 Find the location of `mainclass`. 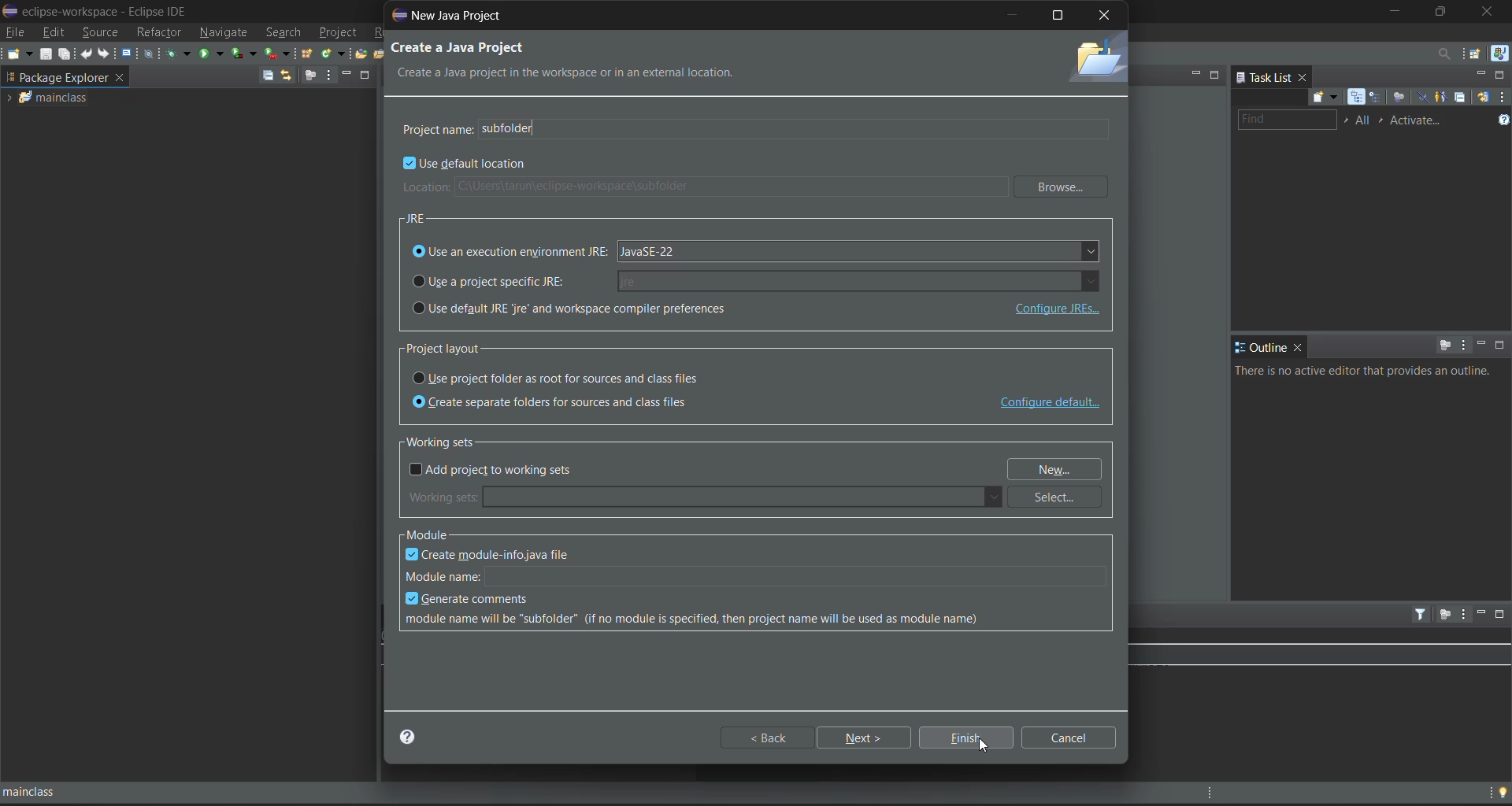

mainclass is located at coordinates (68, 98).